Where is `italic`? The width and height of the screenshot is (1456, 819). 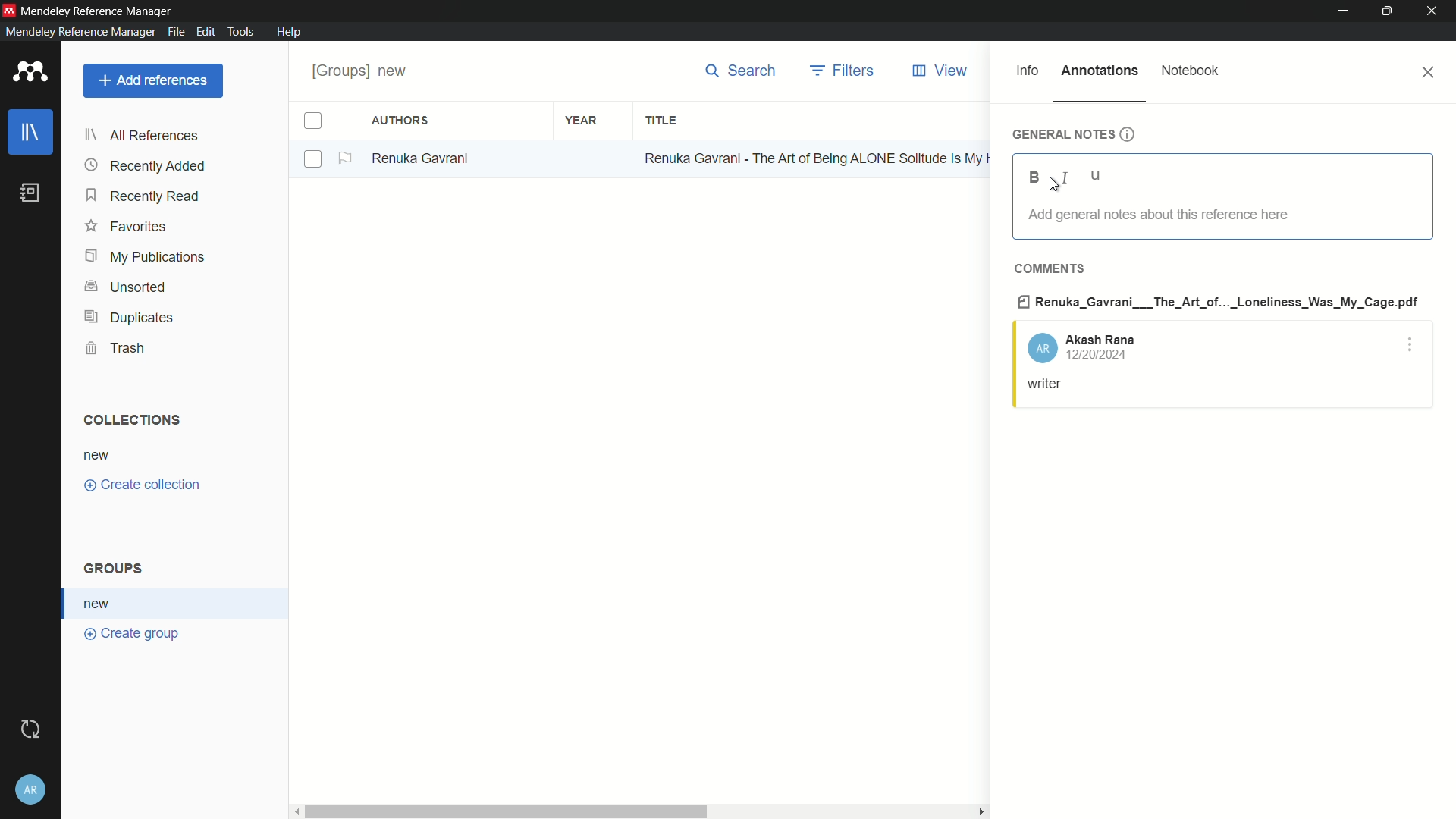
italic is located at coordinates (1062, 178).